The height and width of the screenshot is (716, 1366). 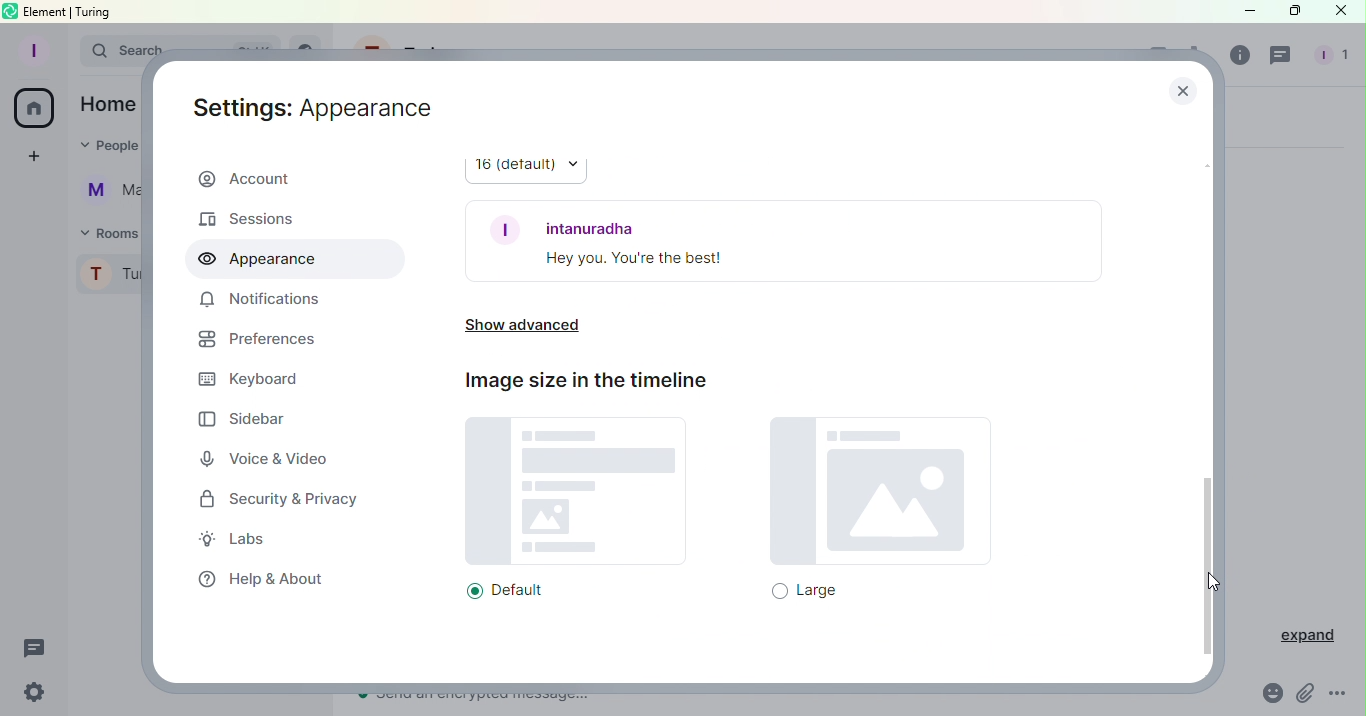 I want to click on Home, so click(x=37, y=110).